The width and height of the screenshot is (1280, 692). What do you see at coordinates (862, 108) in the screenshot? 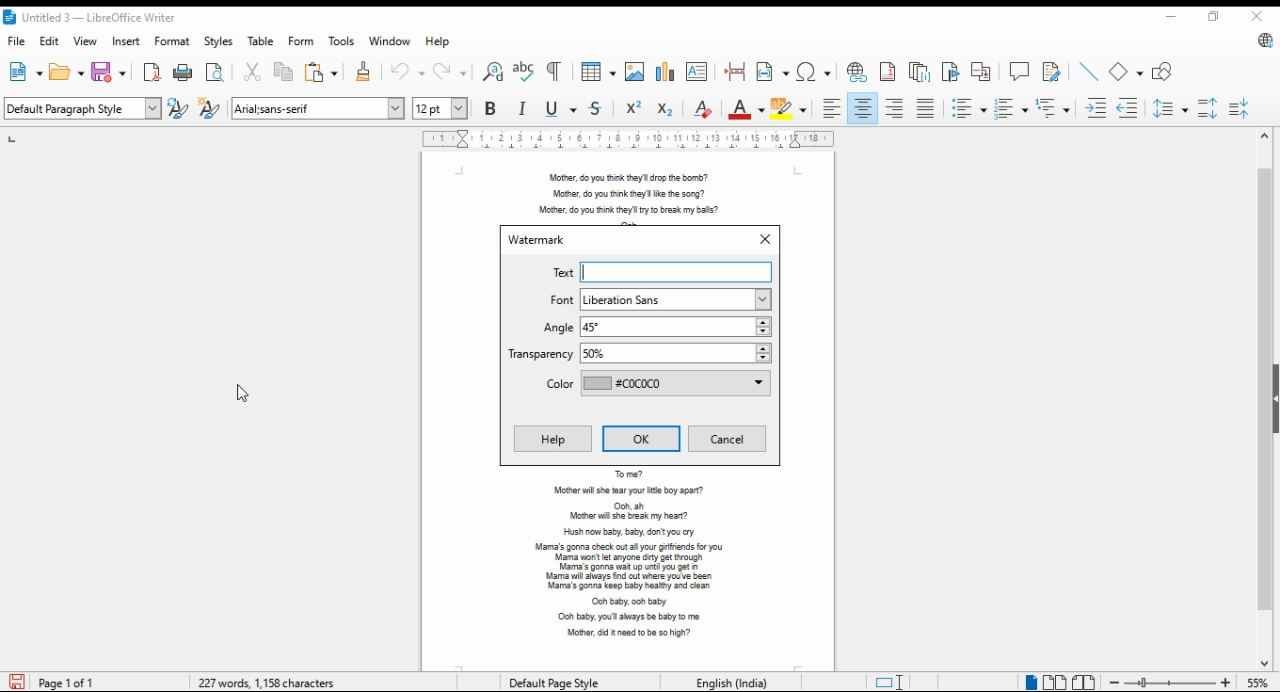
I see `align center` at bounding box center [862, 108].